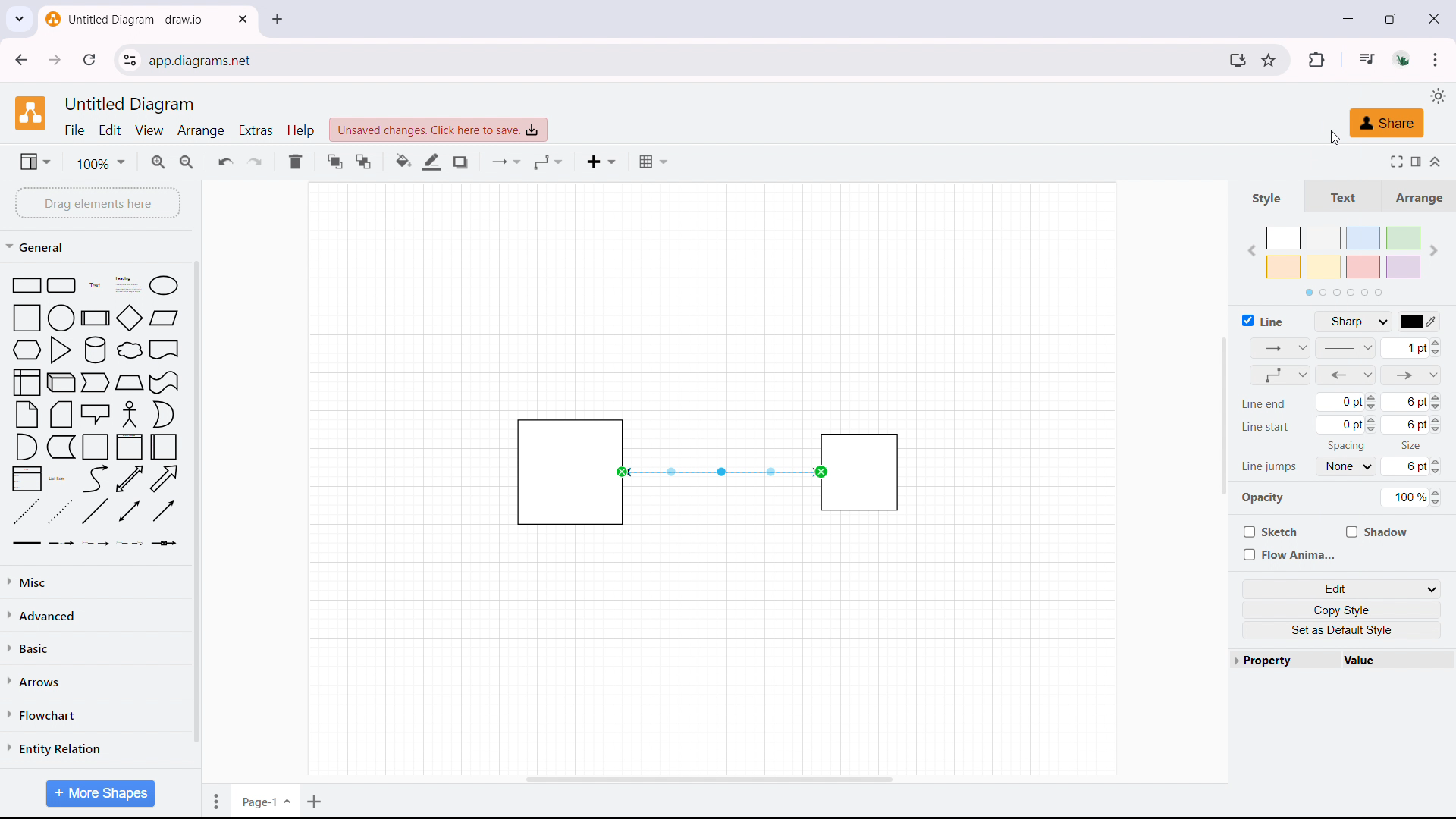 Image resolution: width=1456 pixels, height=819 pixels. I want to click on shape library, so click(96, 413).